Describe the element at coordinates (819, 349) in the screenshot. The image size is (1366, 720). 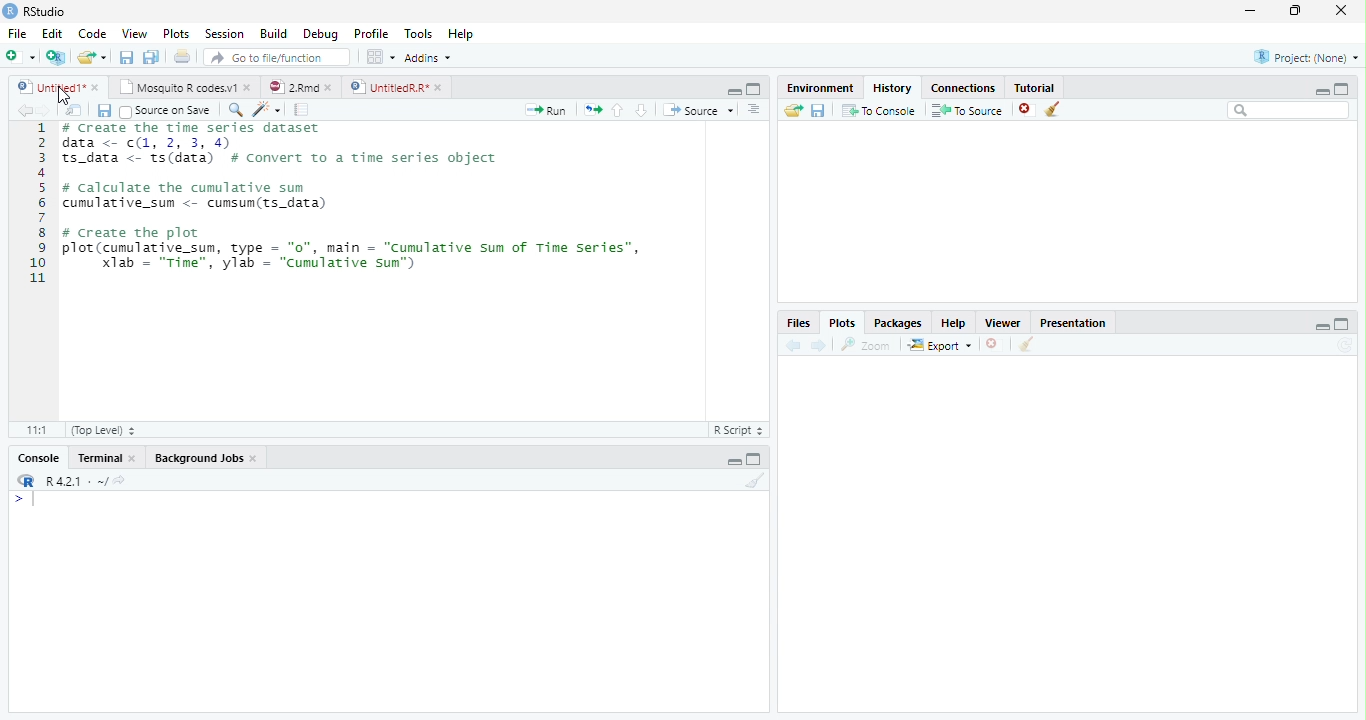
I see `Next` at that location.